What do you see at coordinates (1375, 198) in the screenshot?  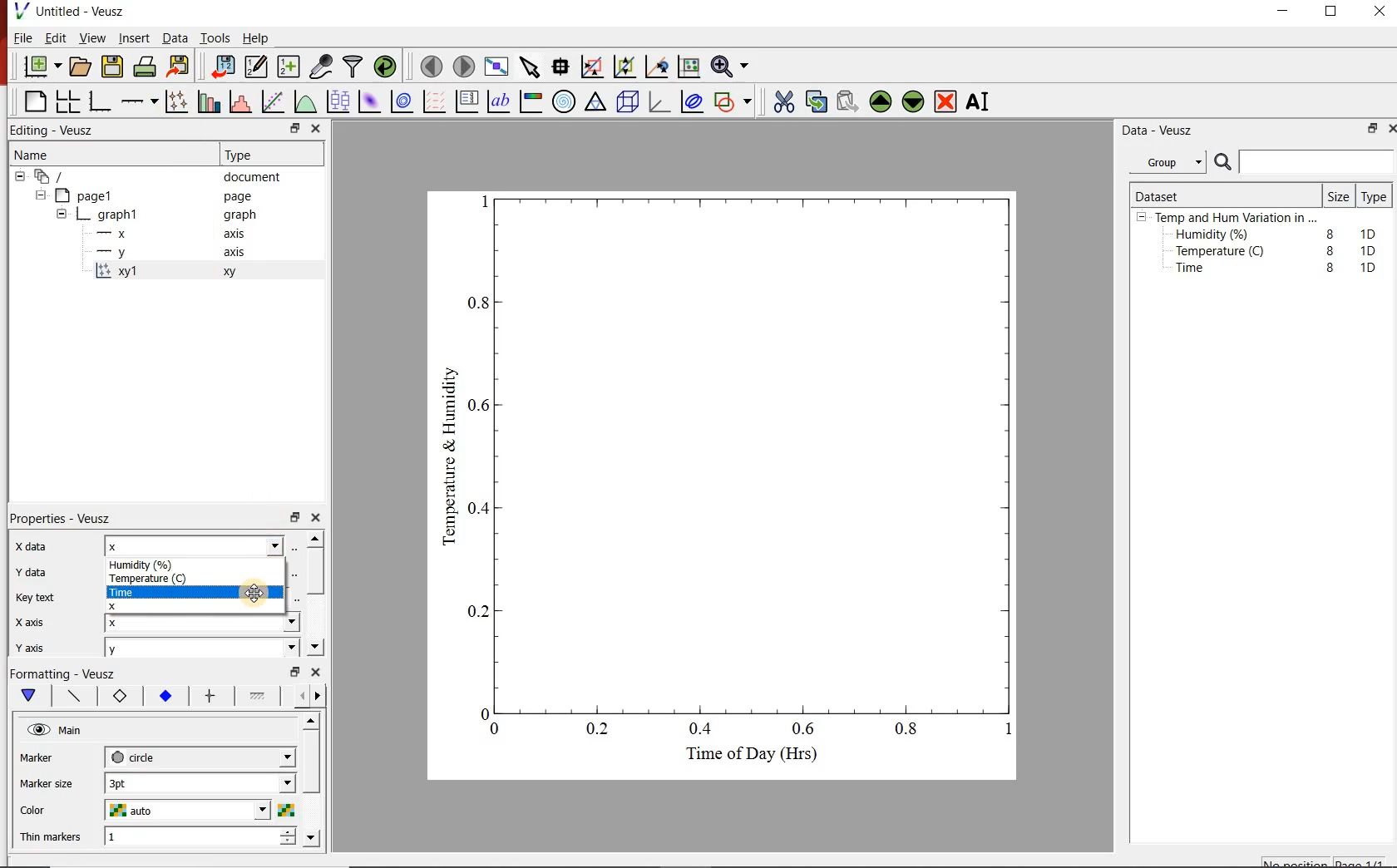 I see `Type` at bounding box center [1375, 198].